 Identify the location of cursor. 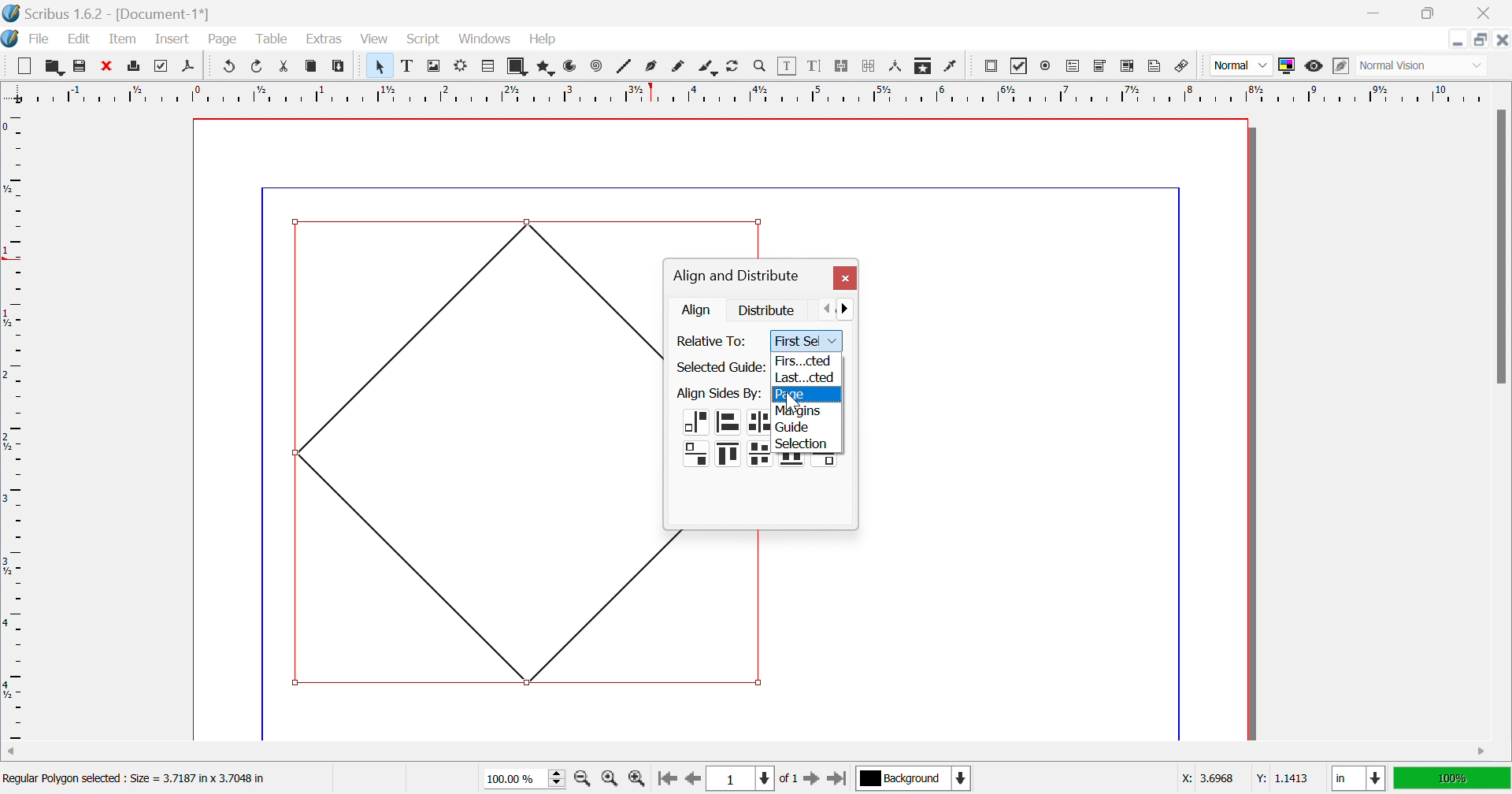
(796, 399).